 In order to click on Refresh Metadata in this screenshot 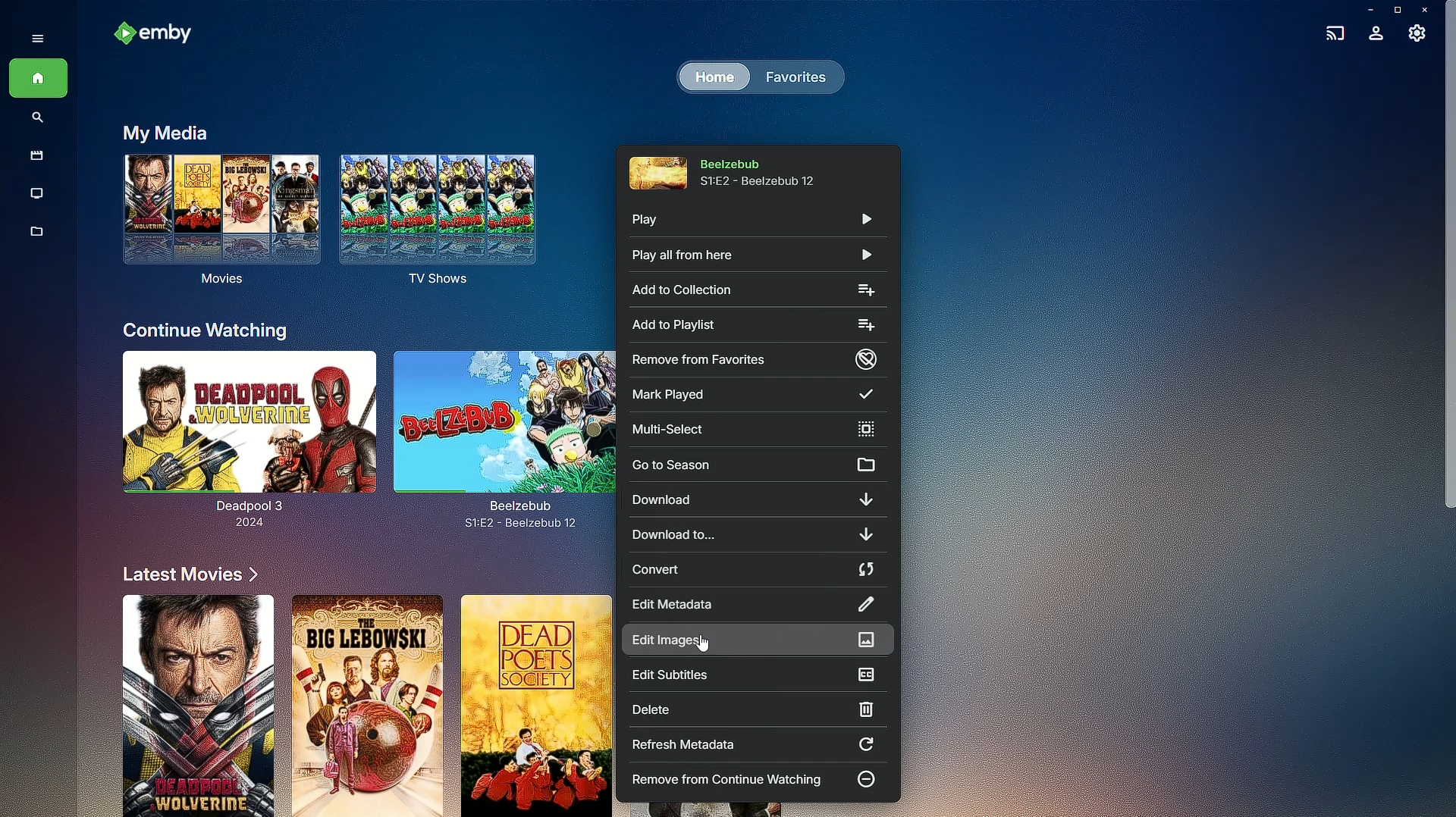, I will do `click(756, 746)`.